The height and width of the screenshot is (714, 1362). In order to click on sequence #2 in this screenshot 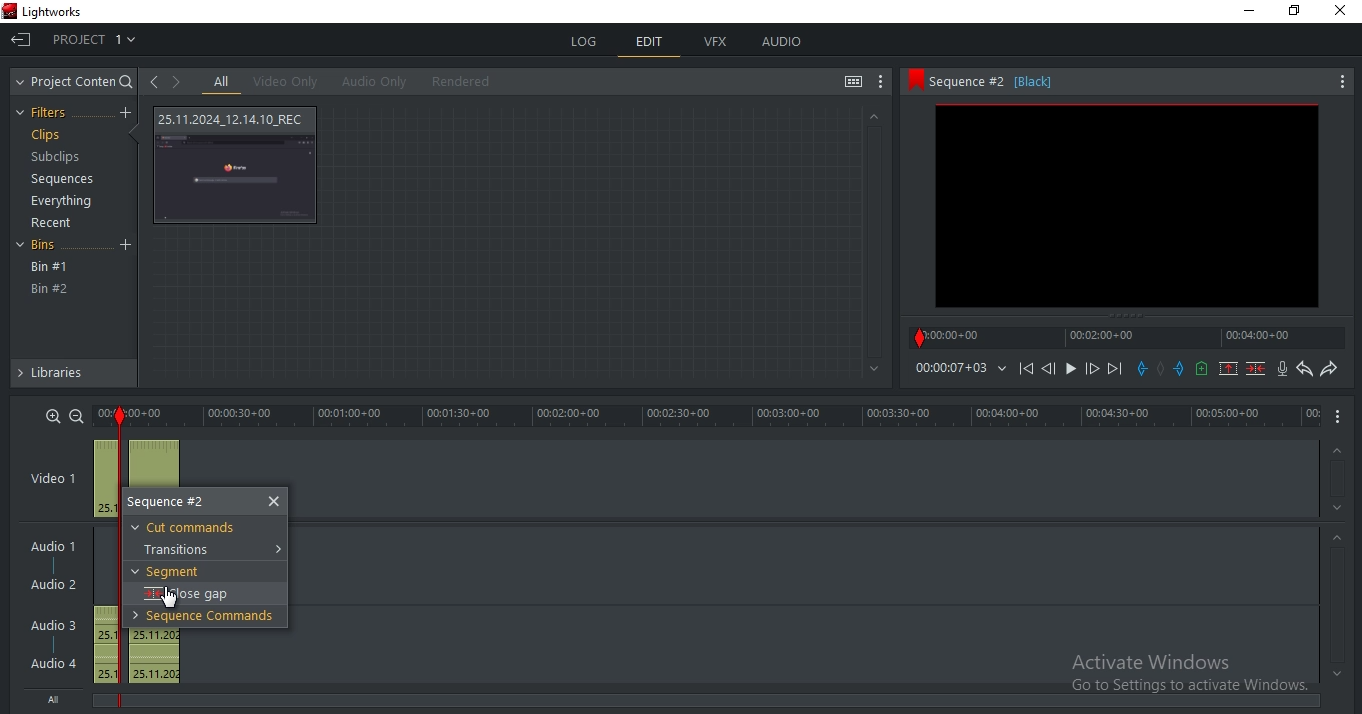, I will do `click(169, 499)`.